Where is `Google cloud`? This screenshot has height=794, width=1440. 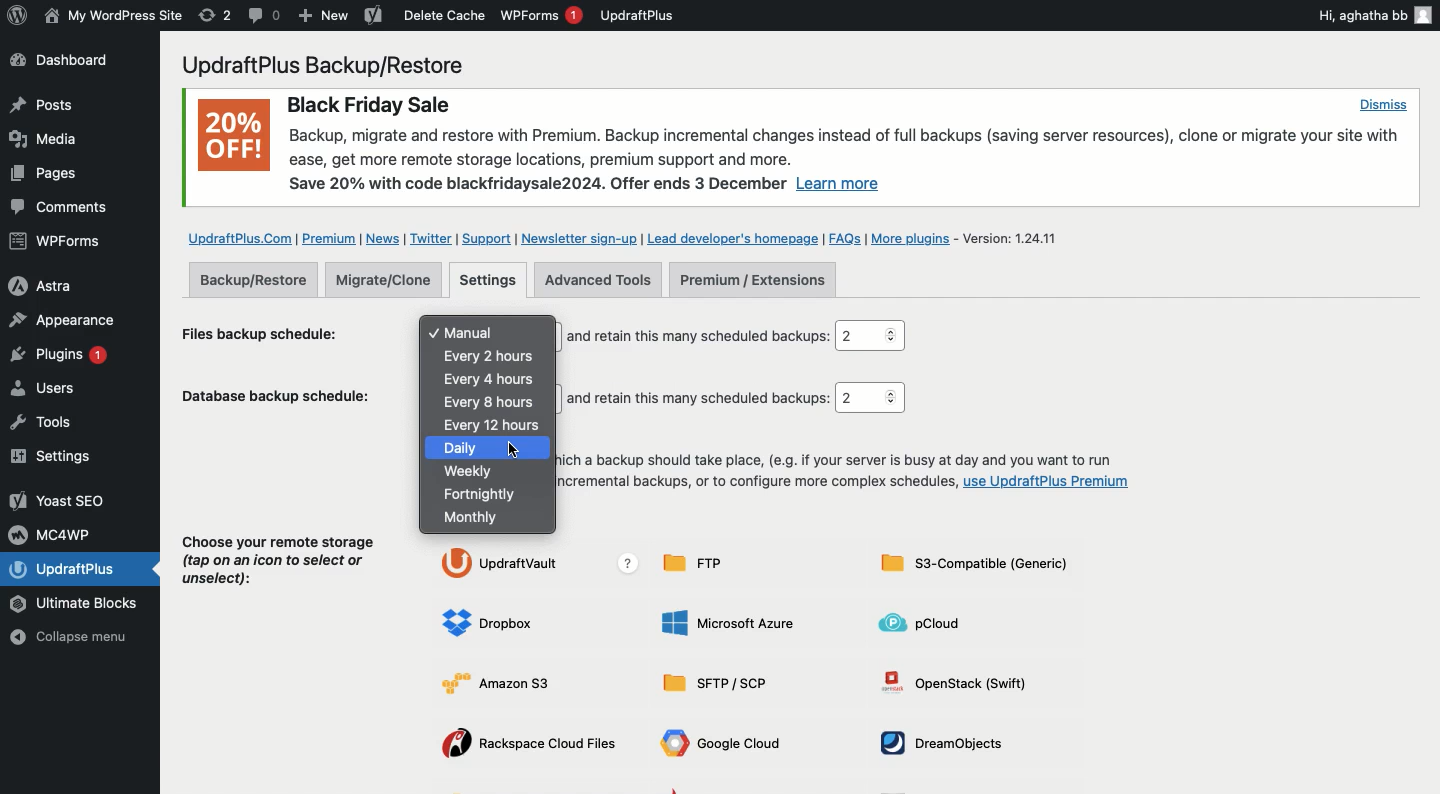
Google cloud is located at coordinates (726, 746).